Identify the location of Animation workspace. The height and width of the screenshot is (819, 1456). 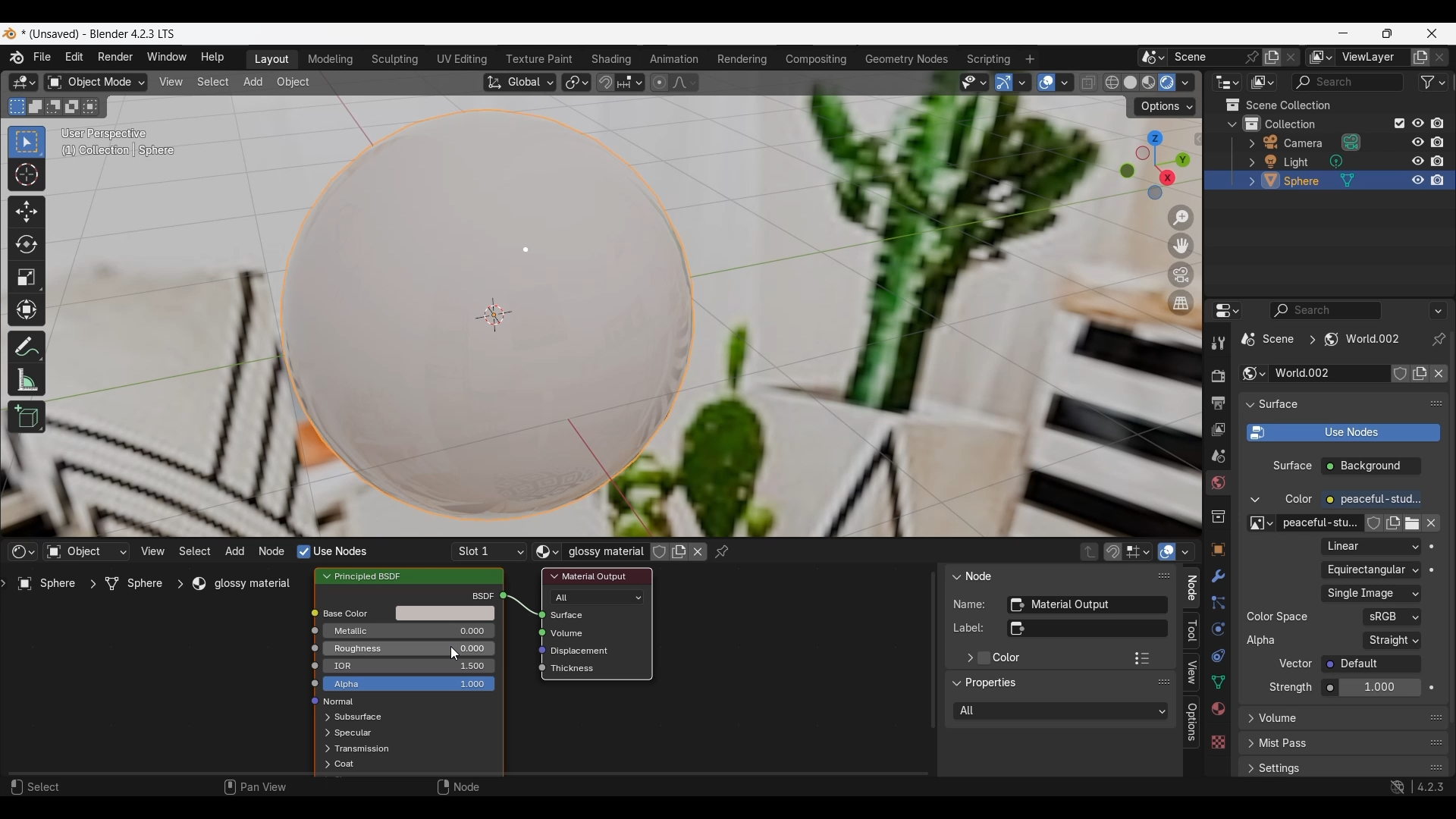
(676, 58).